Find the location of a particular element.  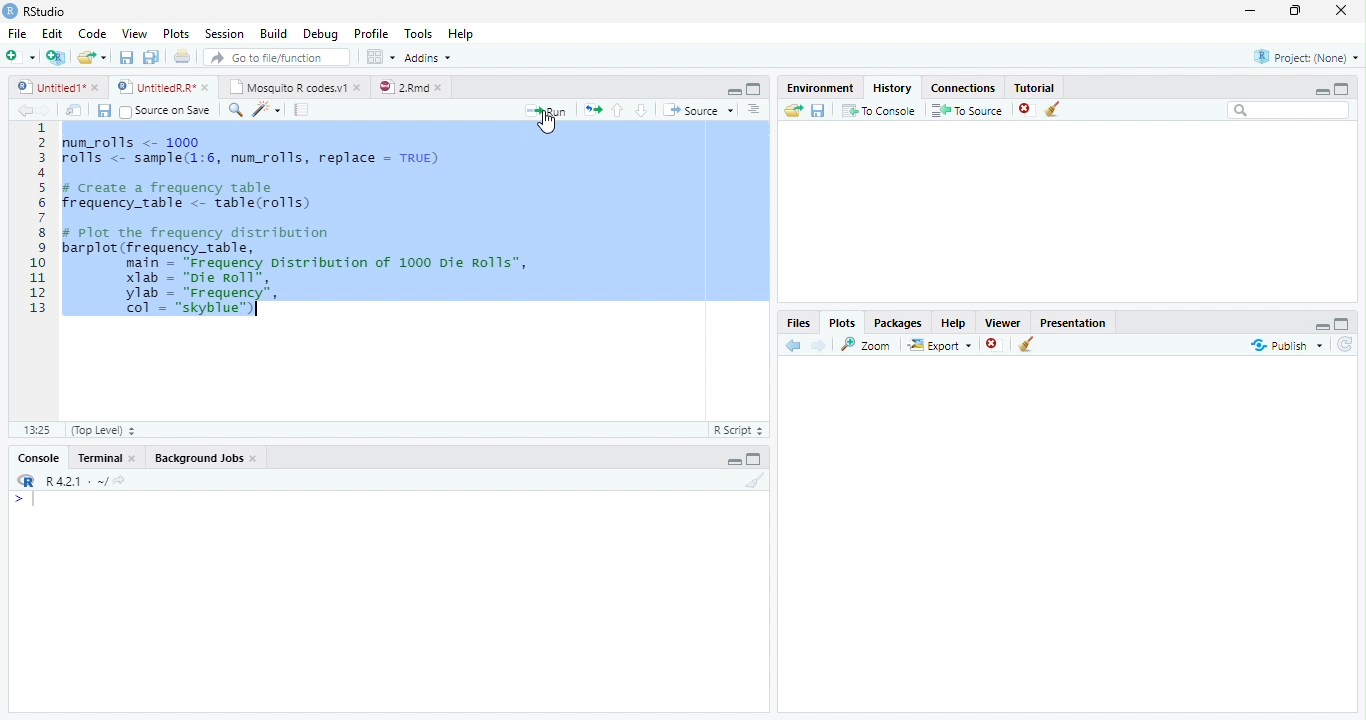

Terminal is located at coordinates (109, 457).